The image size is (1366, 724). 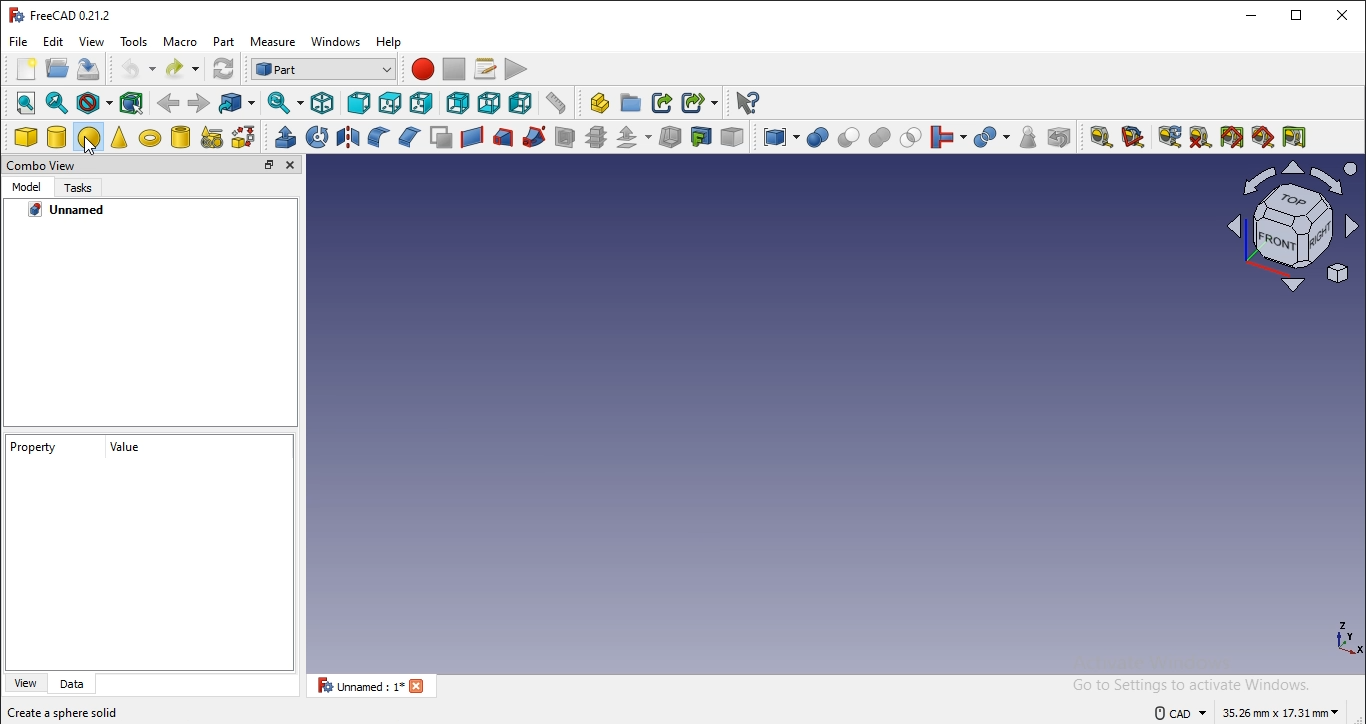 What do you see at coordinates (1058, 137) in the screenshot?
I see `defeaturing` at bounding box center [1058, 137].